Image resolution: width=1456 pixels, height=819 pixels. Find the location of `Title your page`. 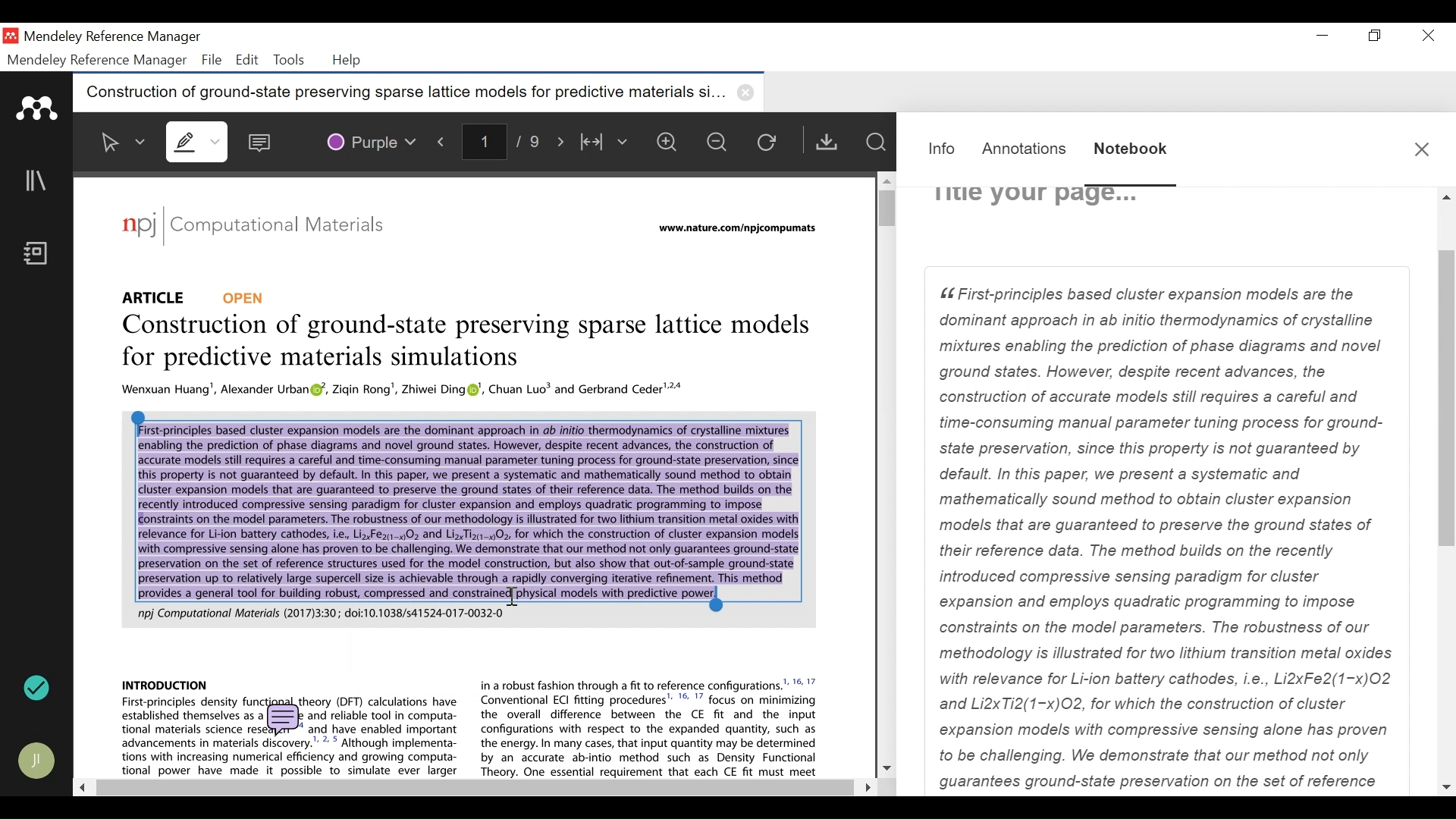

Title your page is located at coordinates (1036, 199).